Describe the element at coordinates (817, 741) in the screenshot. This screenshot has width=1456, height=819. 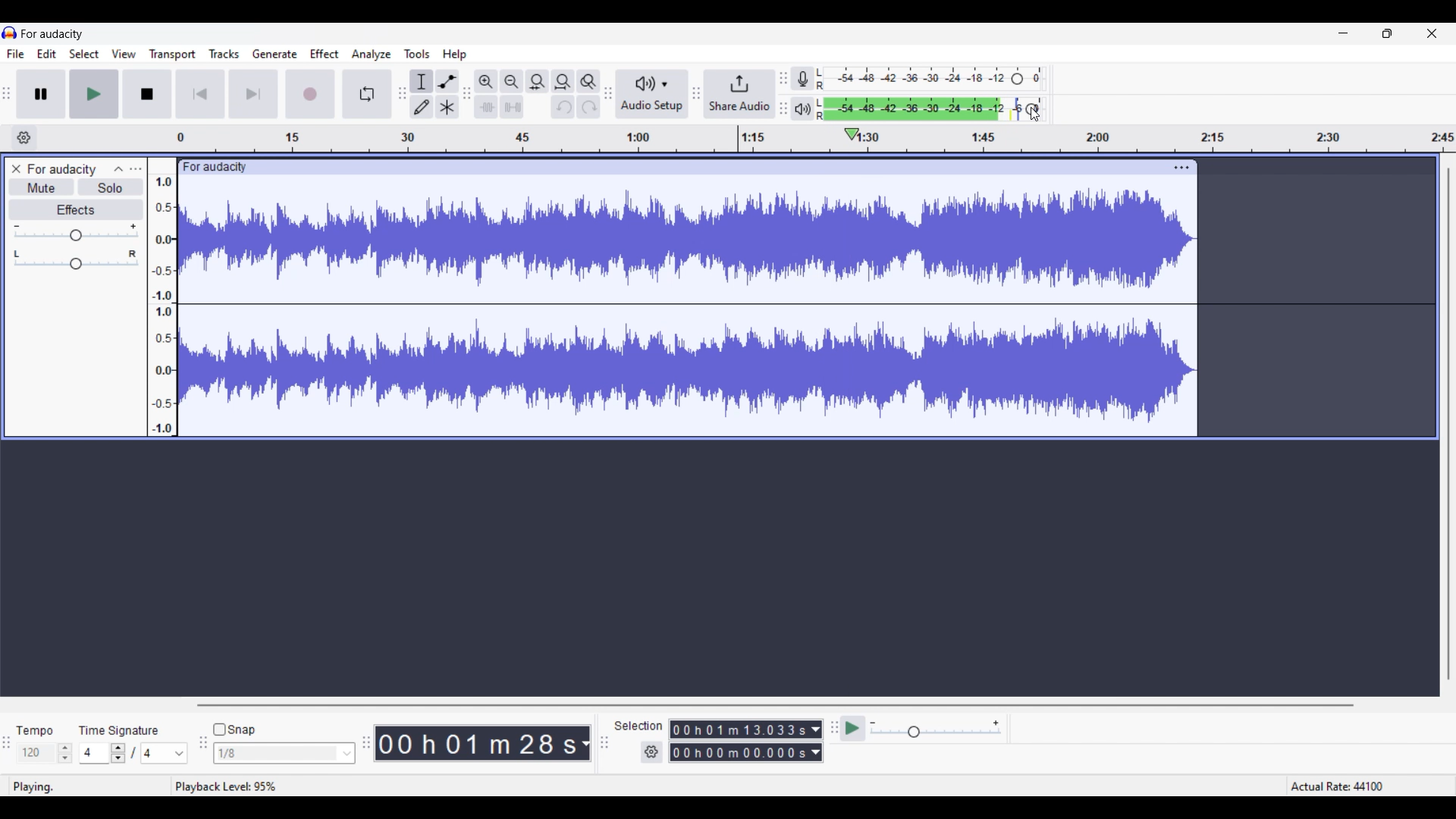
I see `Duration measurement options ` at that location.